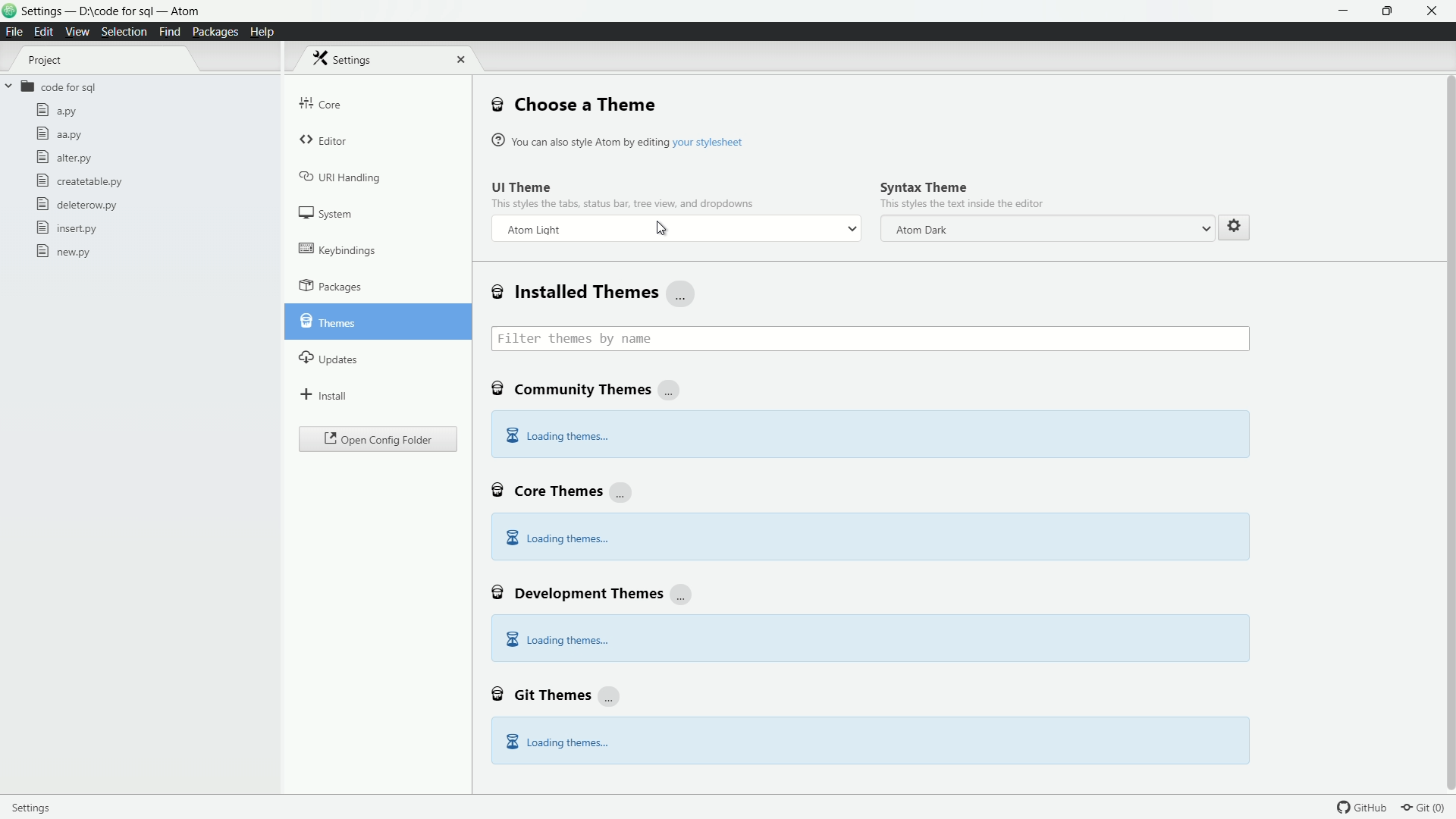 The width and height of the screenshot is (1456, 819). I want to click on close app, so click(1434, 11).